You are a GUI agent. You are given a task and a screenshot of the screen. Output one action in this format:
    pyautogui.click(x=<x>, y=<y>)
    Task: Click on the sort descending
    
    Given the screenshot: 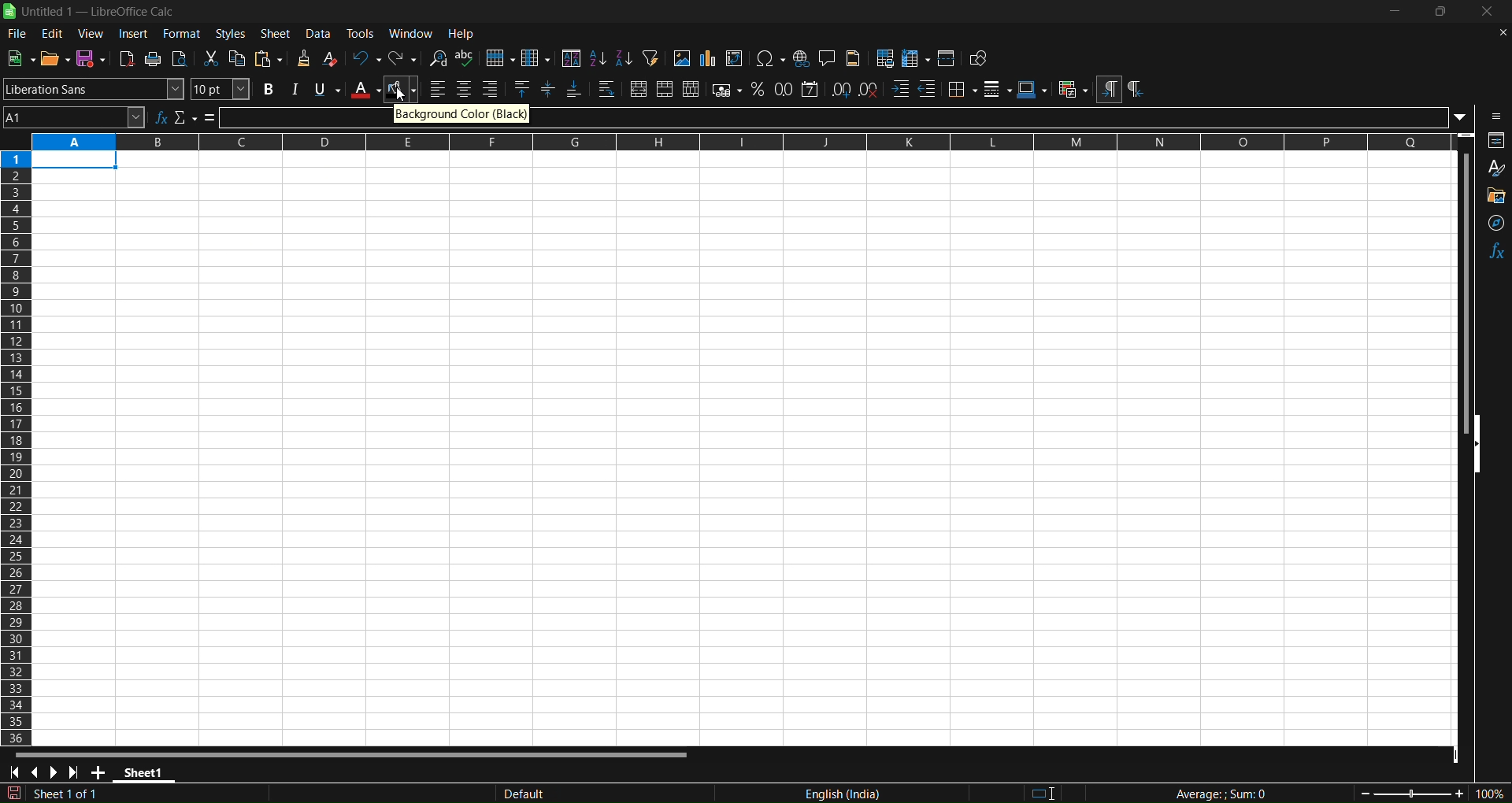 What is the action you would take?
    pyautogui.click(x=624, y=59)
    